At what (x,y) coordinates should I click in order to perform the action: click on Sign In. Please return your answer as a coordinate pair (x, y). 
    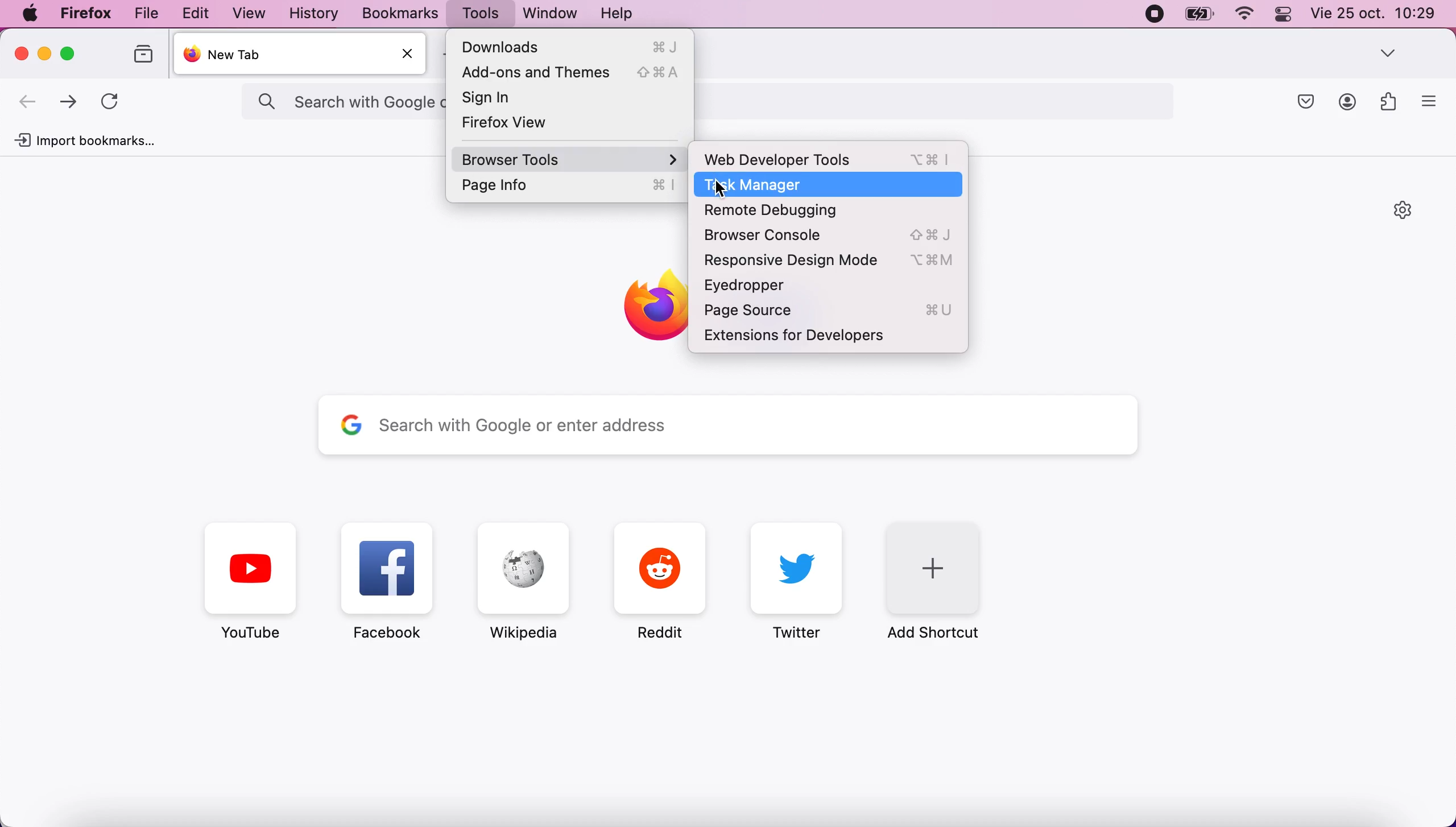
    Looking at the image, I should click on (572, 98).